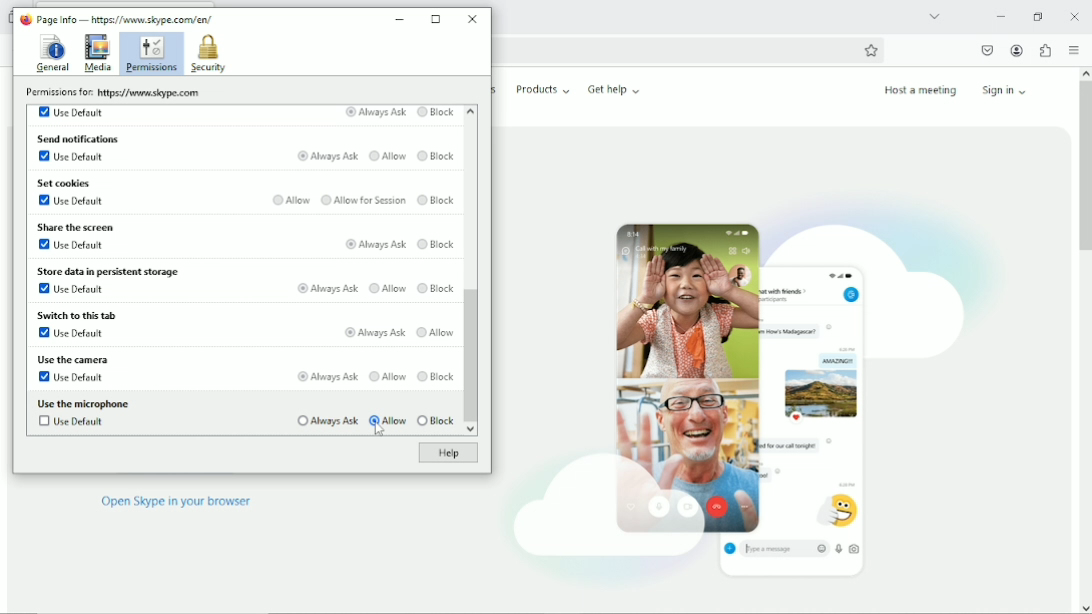 This screenshot has height=614, width=1092. I want to click on Use default, so click(72, 377).